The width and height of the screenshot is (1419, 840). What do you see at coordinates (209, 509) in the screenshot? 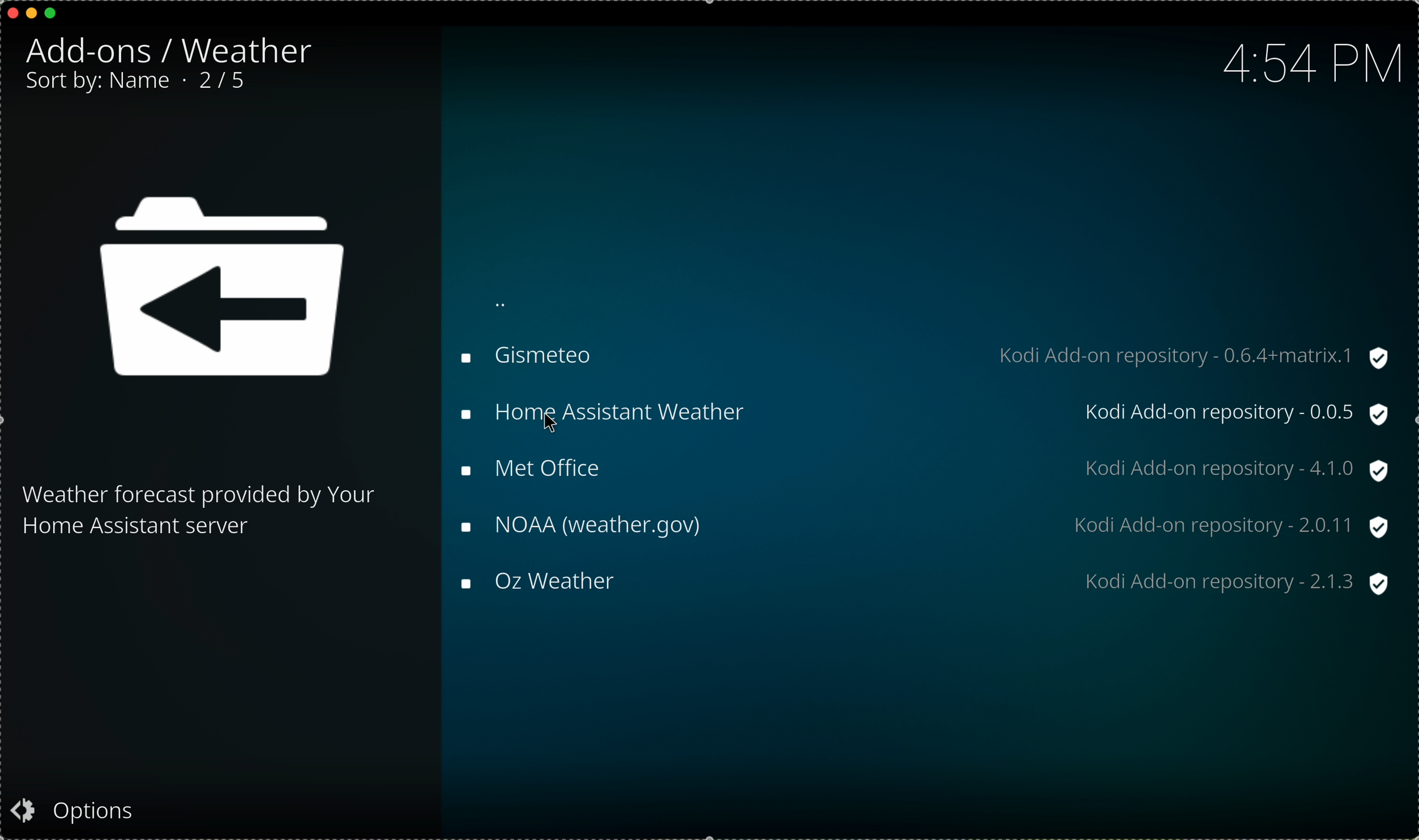
I see `description` at bounding box center [209, 509].